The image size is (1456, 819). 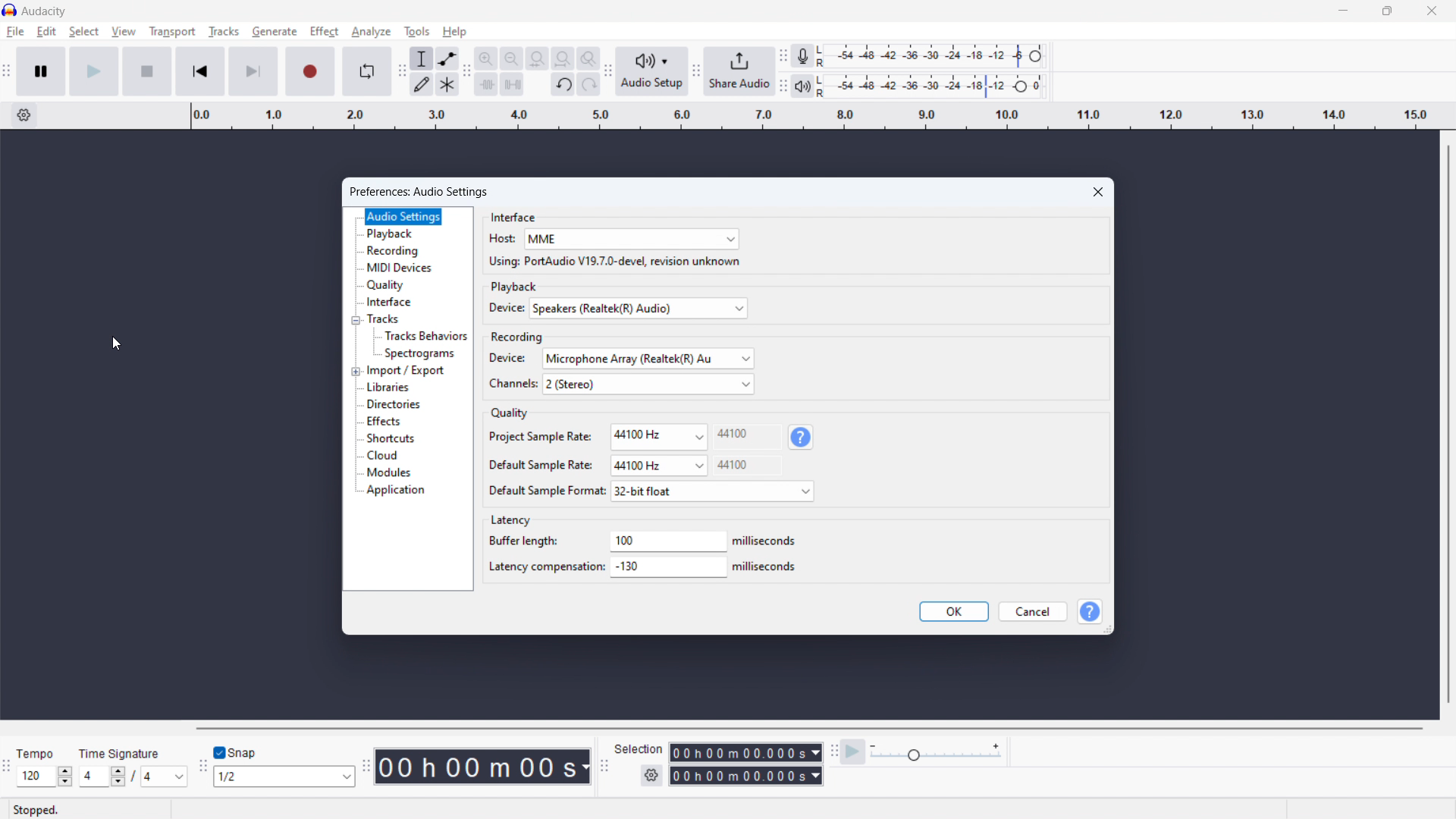 I want to click on tools, so click(x=416, y=30).